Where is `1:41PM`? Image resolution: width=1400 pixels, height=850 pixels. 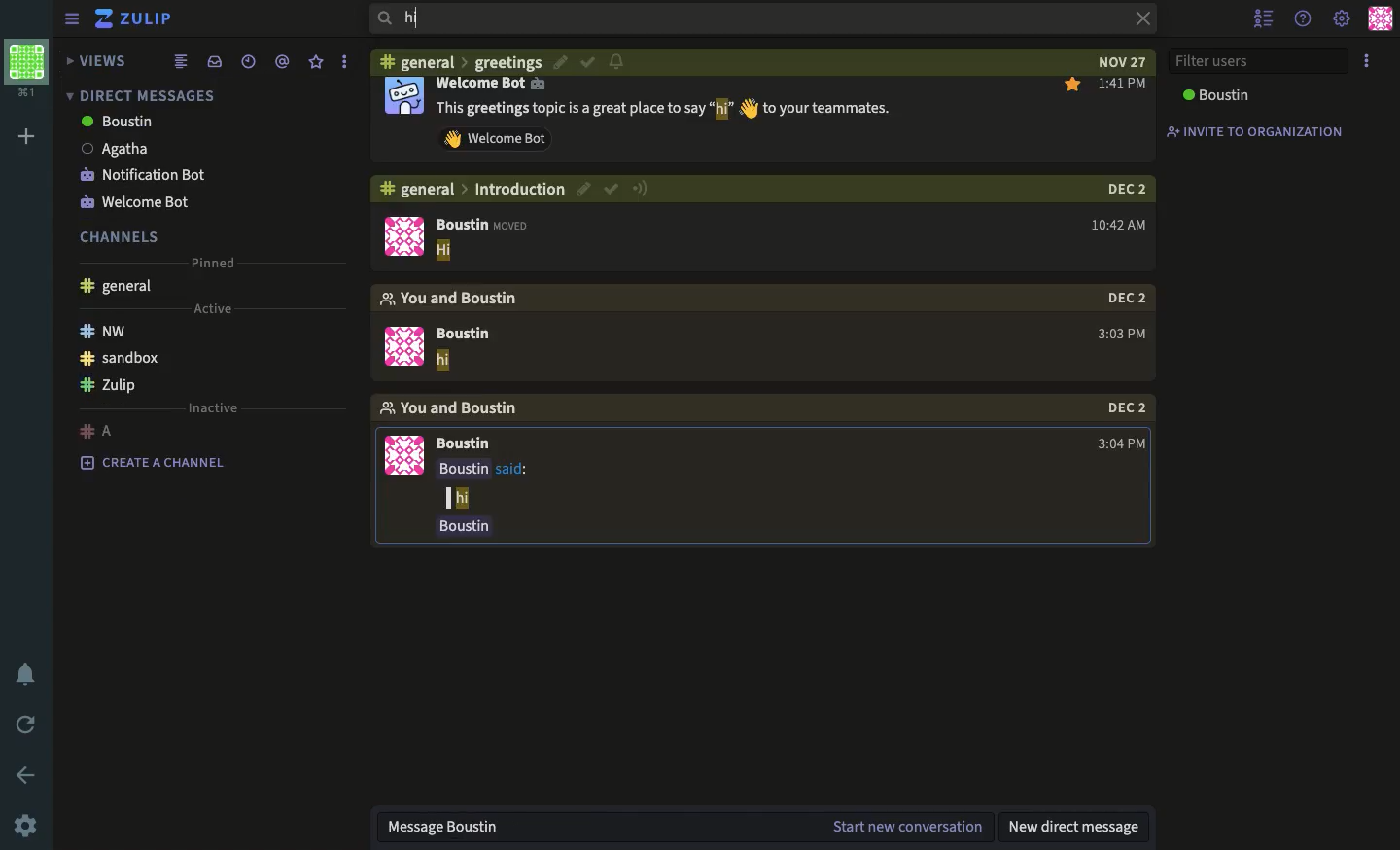 1:41PM is located at coordinates (1109, 85).